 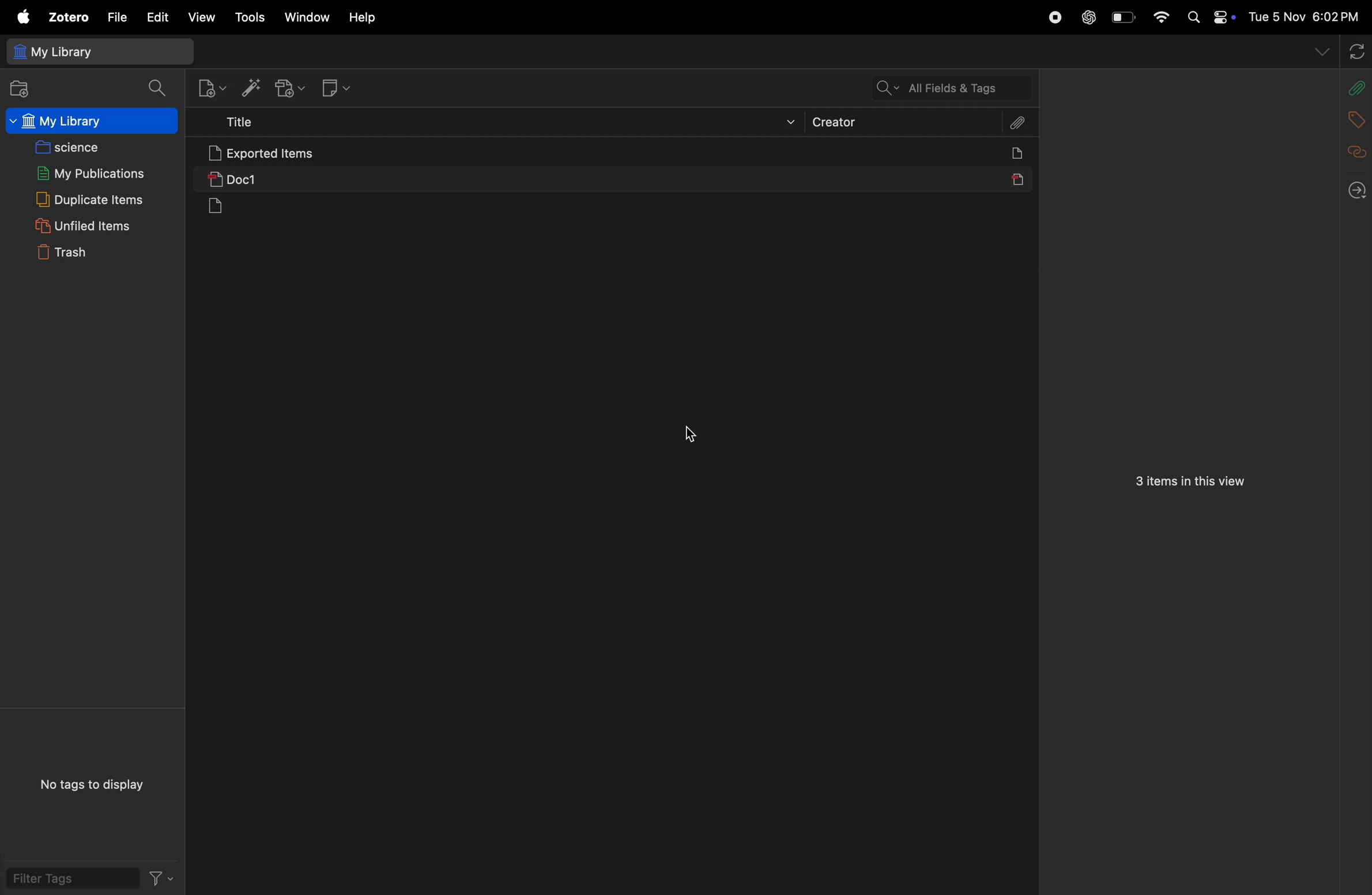 I want to click on my library, so click(x=94, y=53).